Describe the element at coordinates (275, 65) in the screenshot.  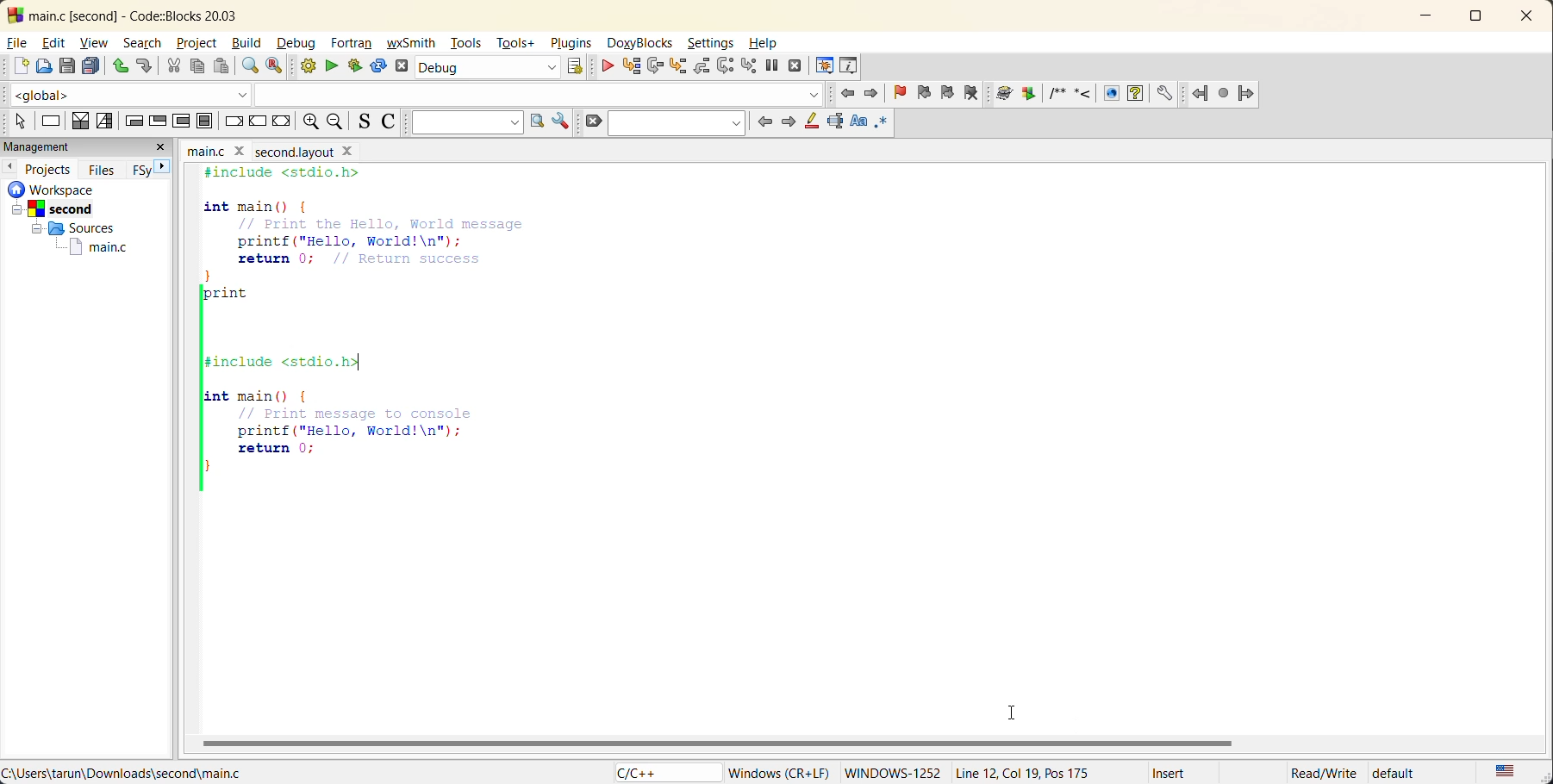
I see `replace` at that location.